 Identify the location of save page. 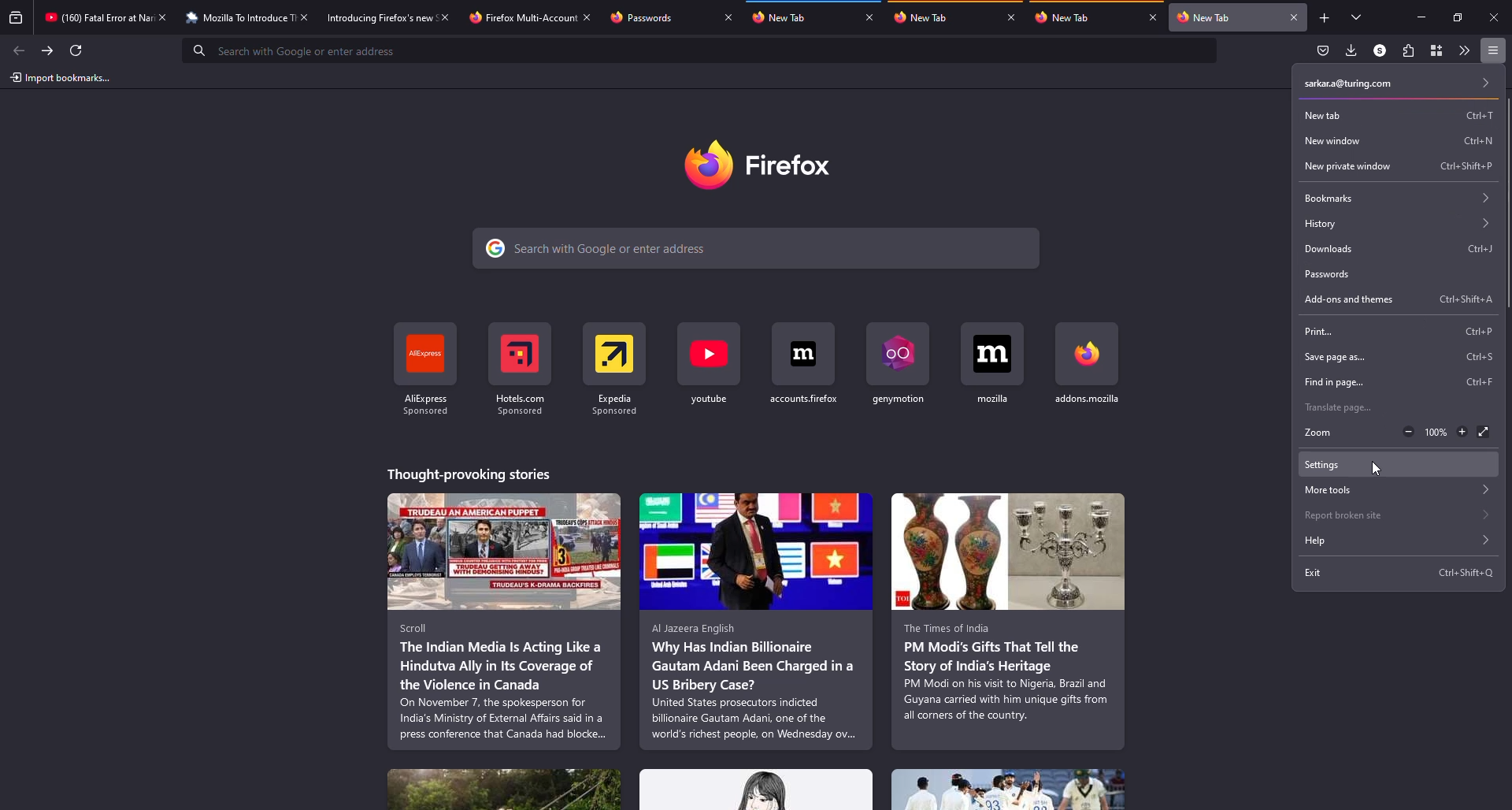
(1397, 358).